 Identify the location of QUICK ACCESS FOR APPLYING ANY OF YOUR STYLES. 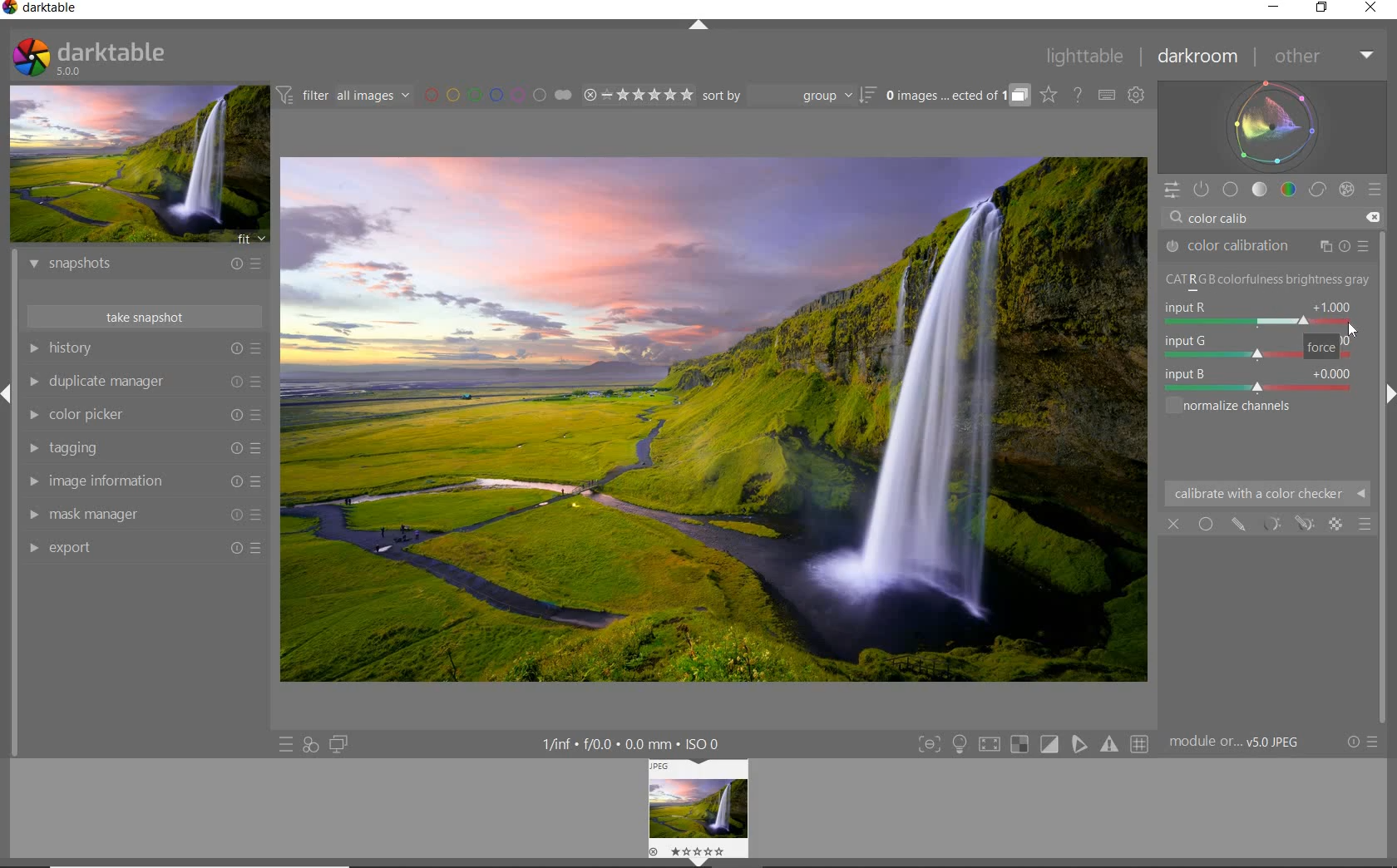
(309, 746).